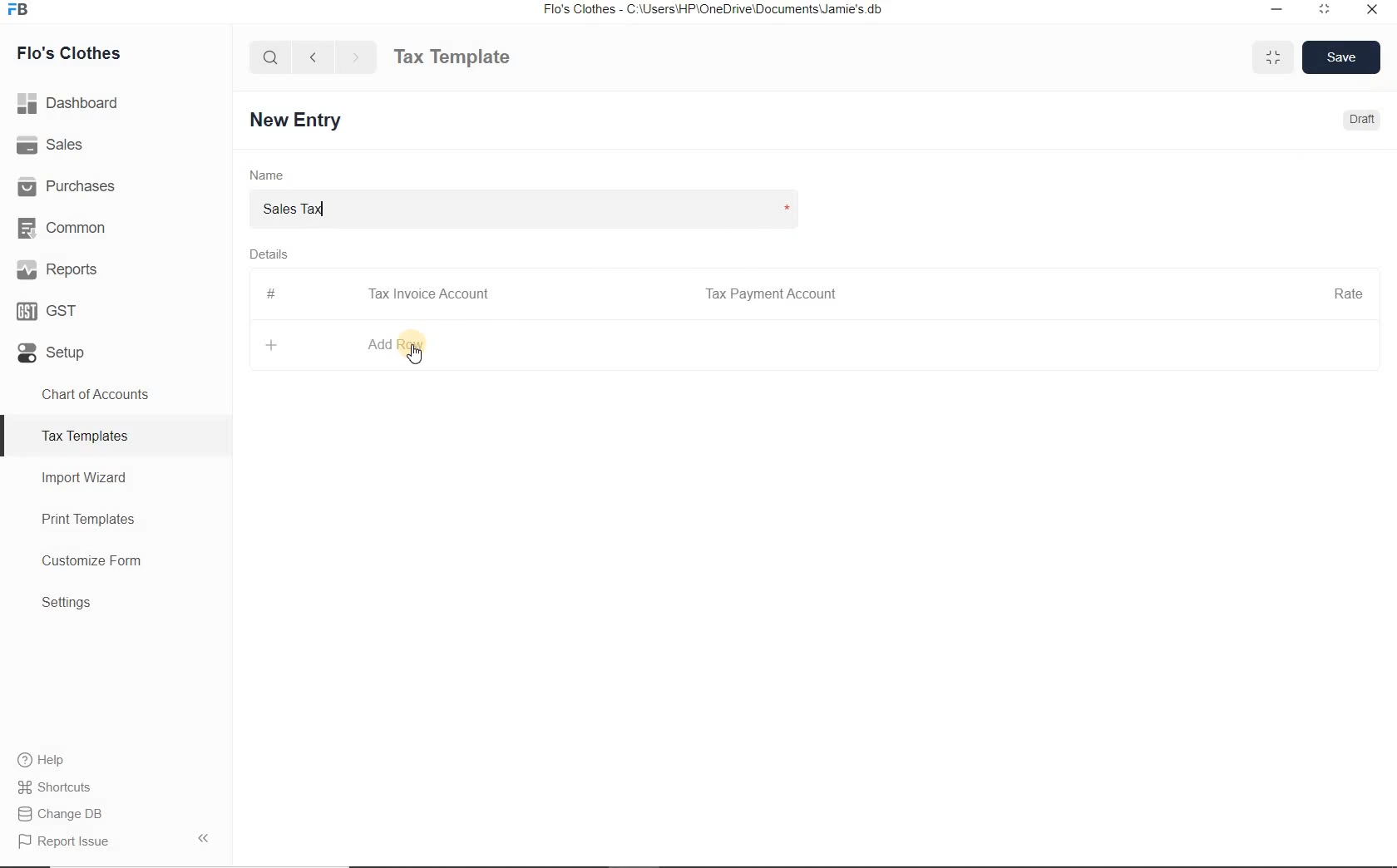 The width and height of the screenshot is (1397, 868). Describe the element at coordinates (267, 174) in the screenshot. I see `Name` at that location.